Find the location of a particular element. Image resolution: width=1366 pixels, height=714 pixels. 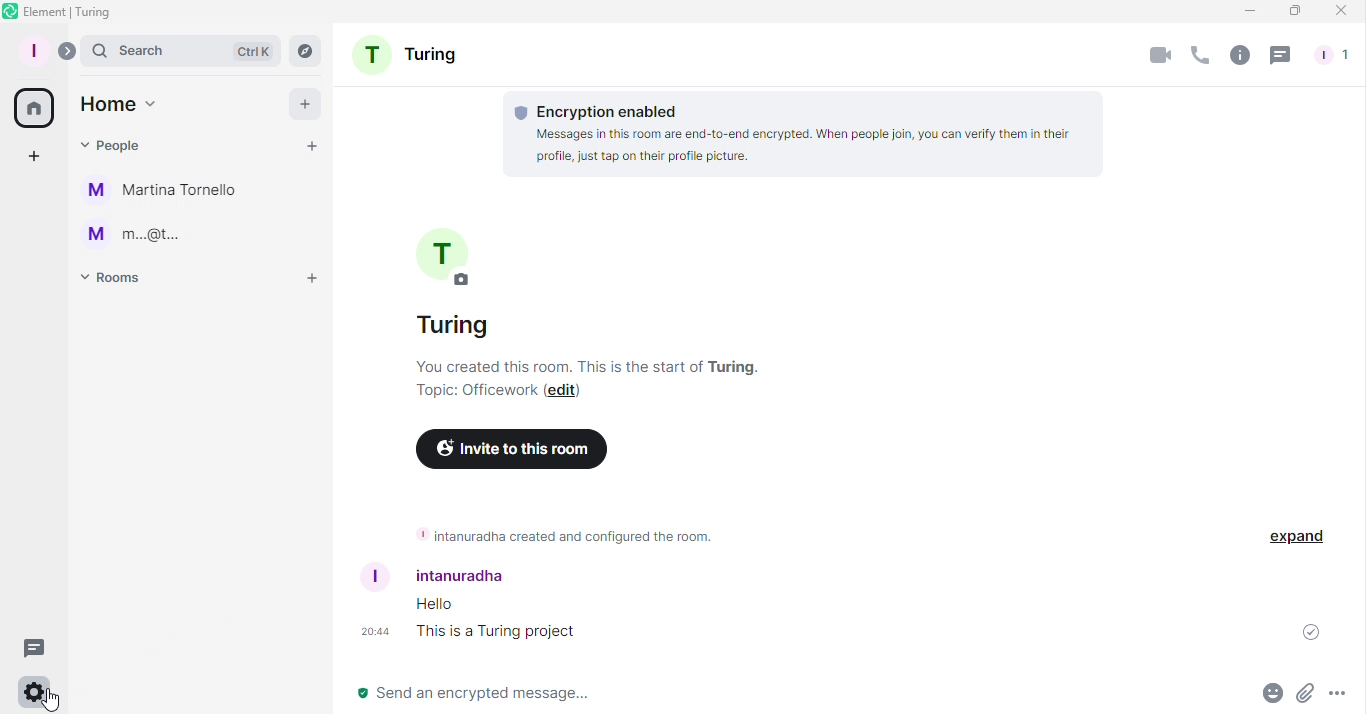

Maximize is located at coordinates (1292, 11).